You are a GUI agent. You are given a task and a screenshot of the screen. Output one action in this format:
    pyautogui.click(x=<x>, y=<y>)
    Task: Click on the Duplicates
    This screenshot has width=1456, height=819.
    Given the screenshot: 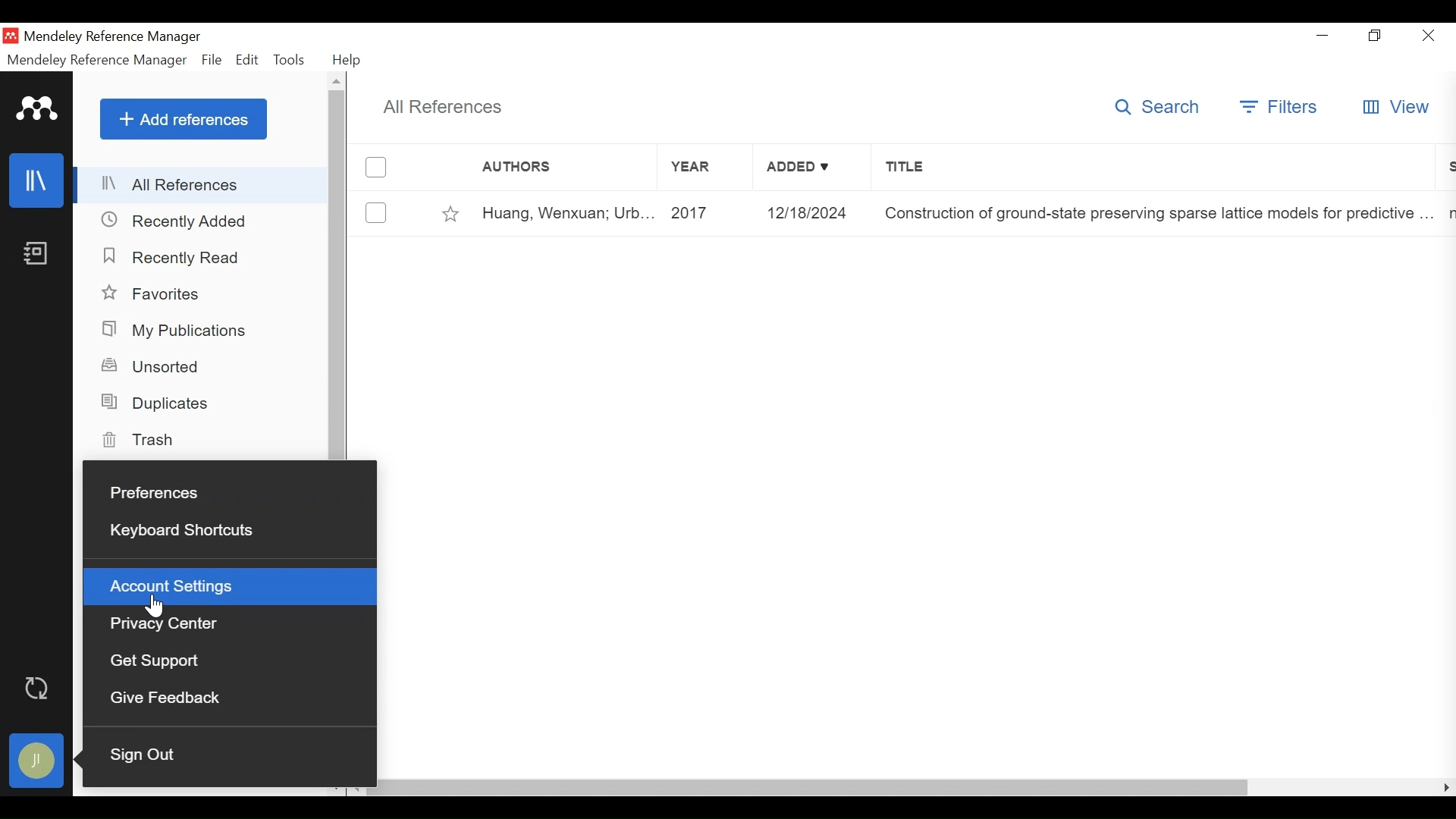 What is the action you would take?
    pyautogui.click(x=157, y=403)
    